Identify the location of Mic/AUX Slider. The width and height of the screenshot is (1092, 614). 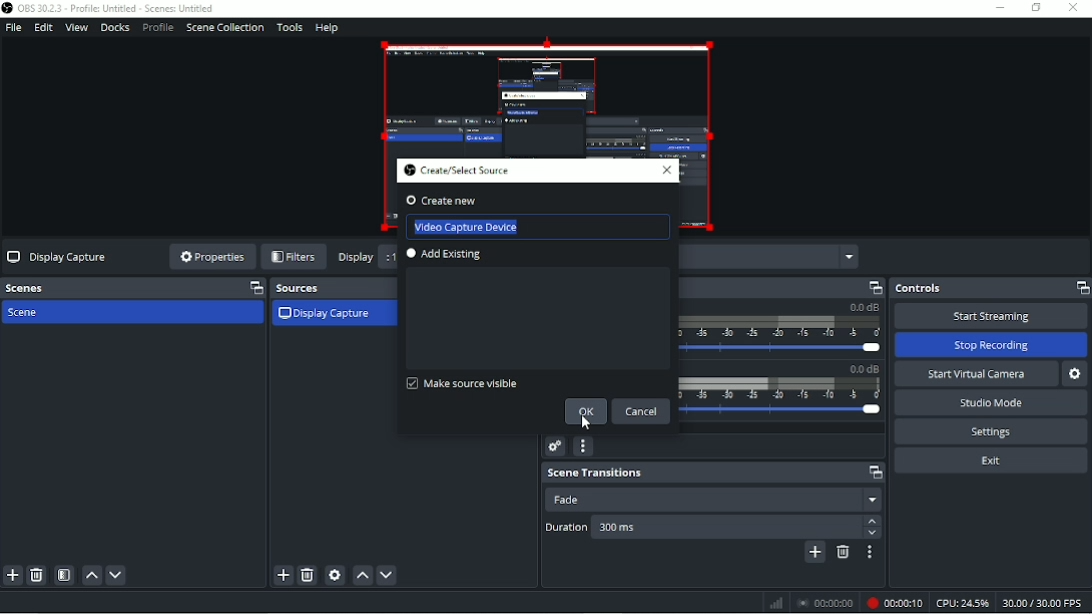
(781, 397).